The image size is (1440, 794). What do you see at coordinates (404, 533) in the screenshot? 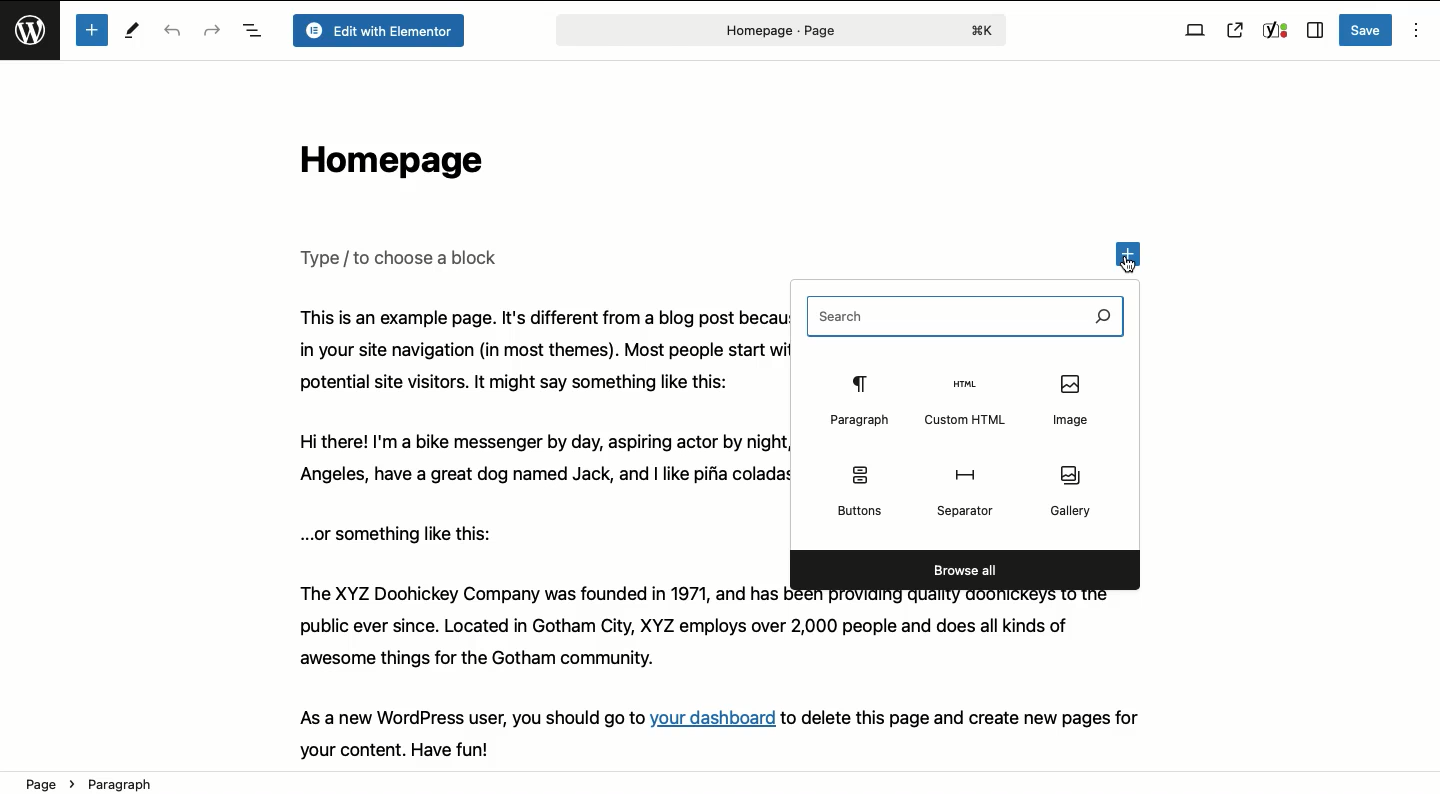
I see `...or something like this:` at bounding box center [404, 533].